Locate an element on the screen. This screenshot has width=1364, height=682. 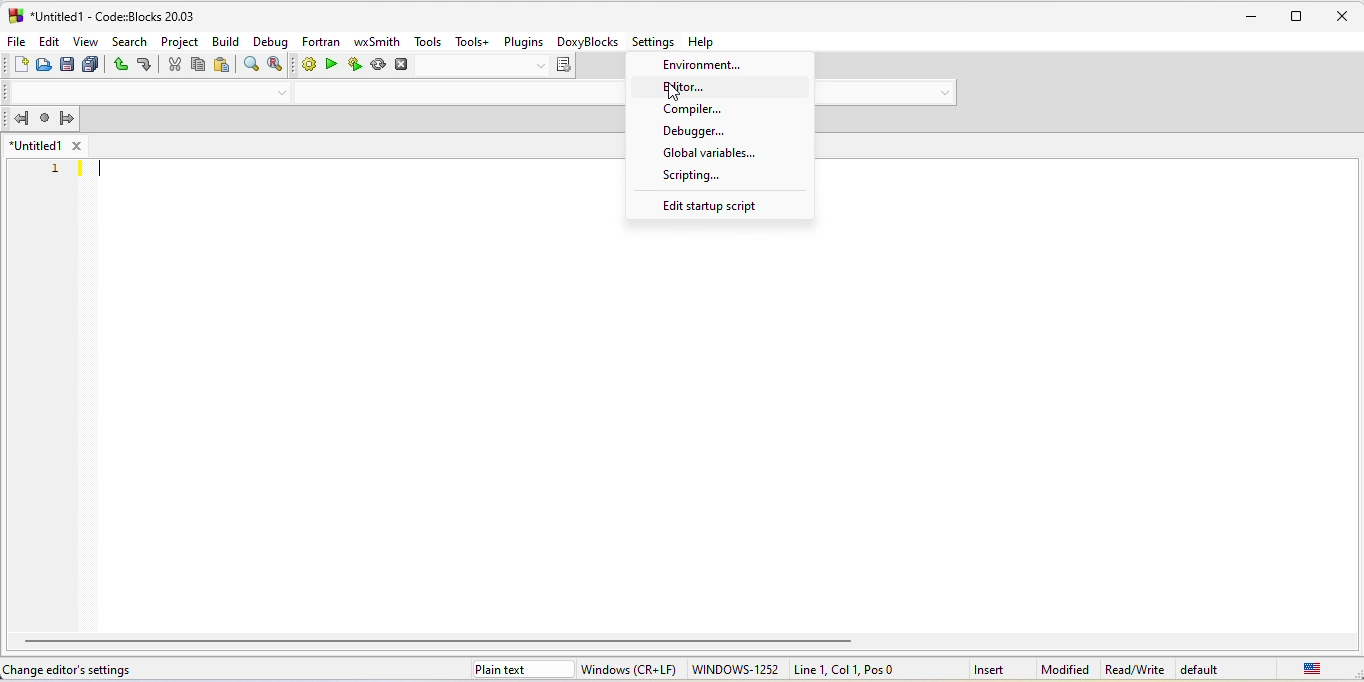
modified is located at coordinates (1064, 670).